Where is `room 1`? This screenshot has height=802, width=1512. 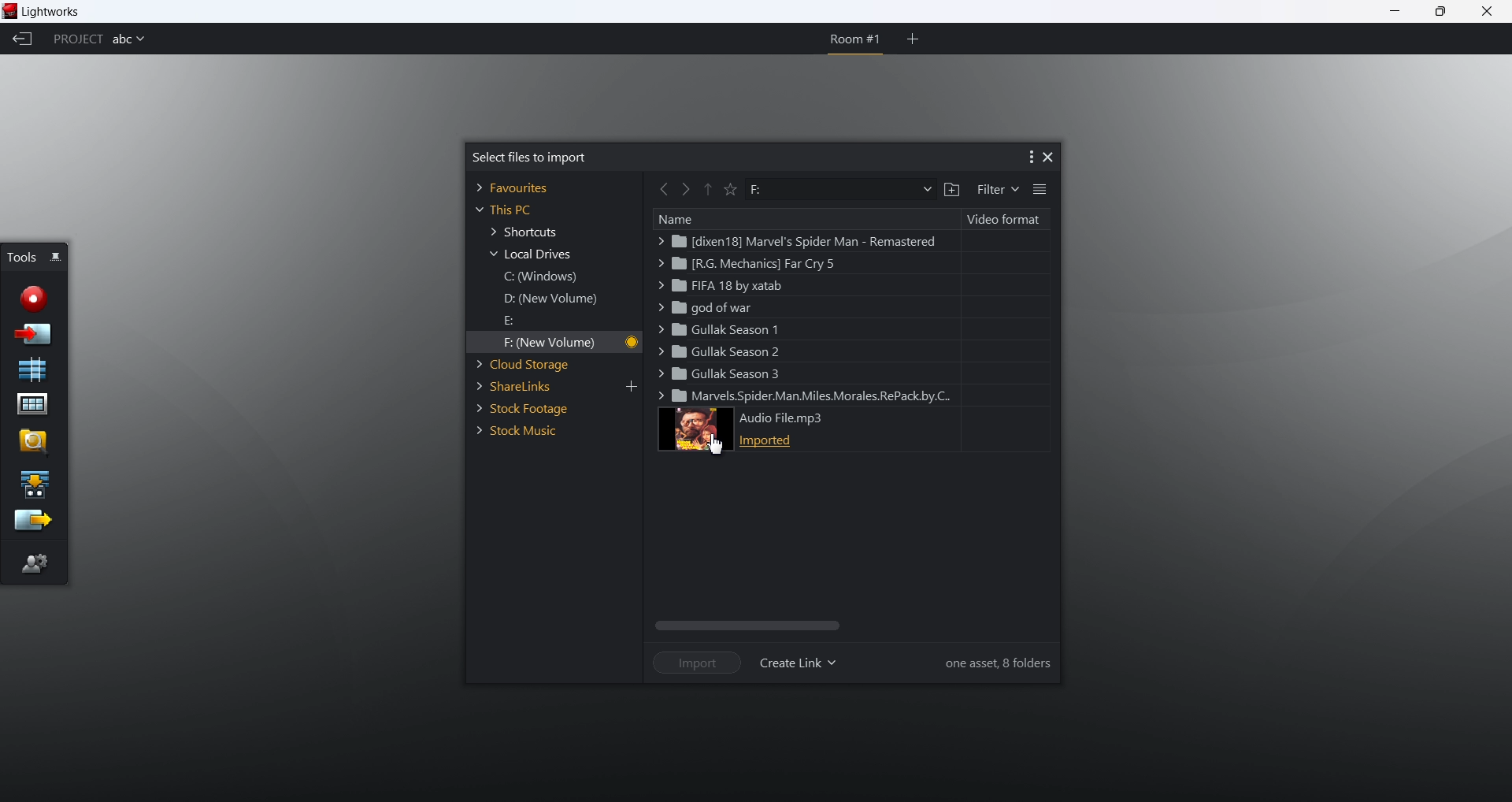 room 1 is located at coordinates (851, 39).